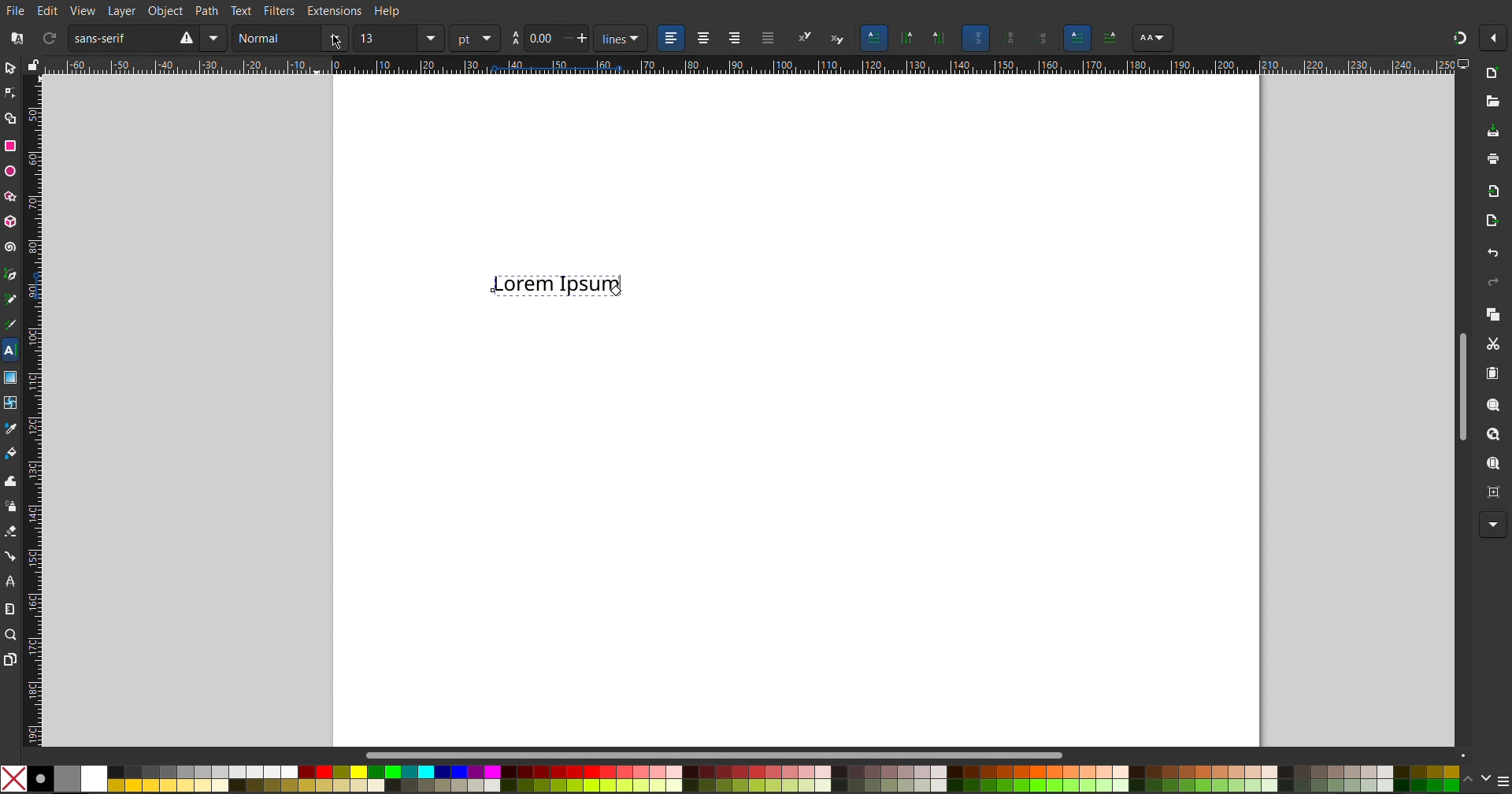 Image resolution: width=1512 pixels, height=794 pixels. Describe the element at coordinates (13, 194) in the screenshot. I see `Star Polygon` at that location.